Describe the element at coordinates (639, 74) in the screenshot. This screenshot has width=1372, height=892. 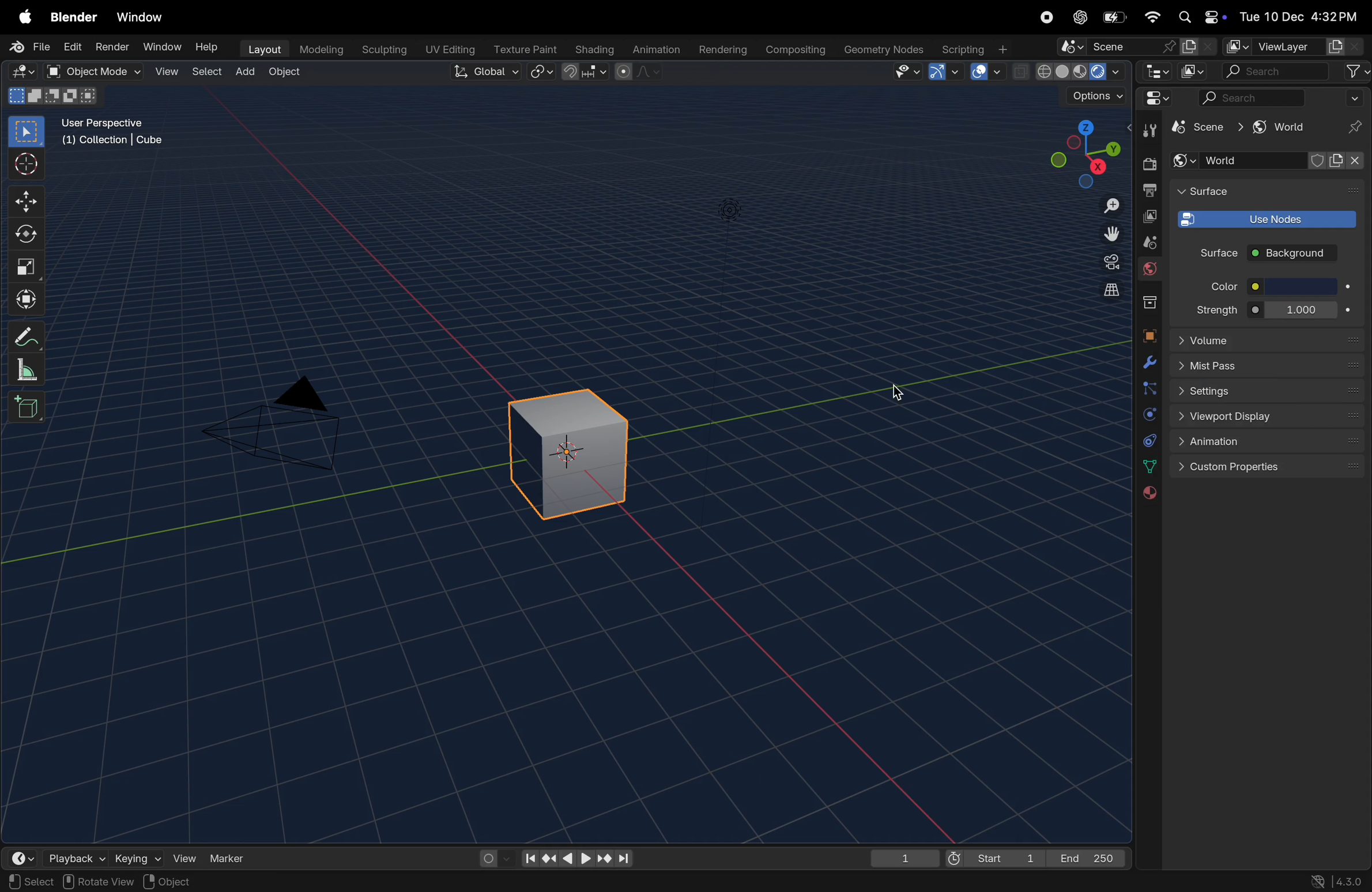
I see `proportional editing fall off` at that location.